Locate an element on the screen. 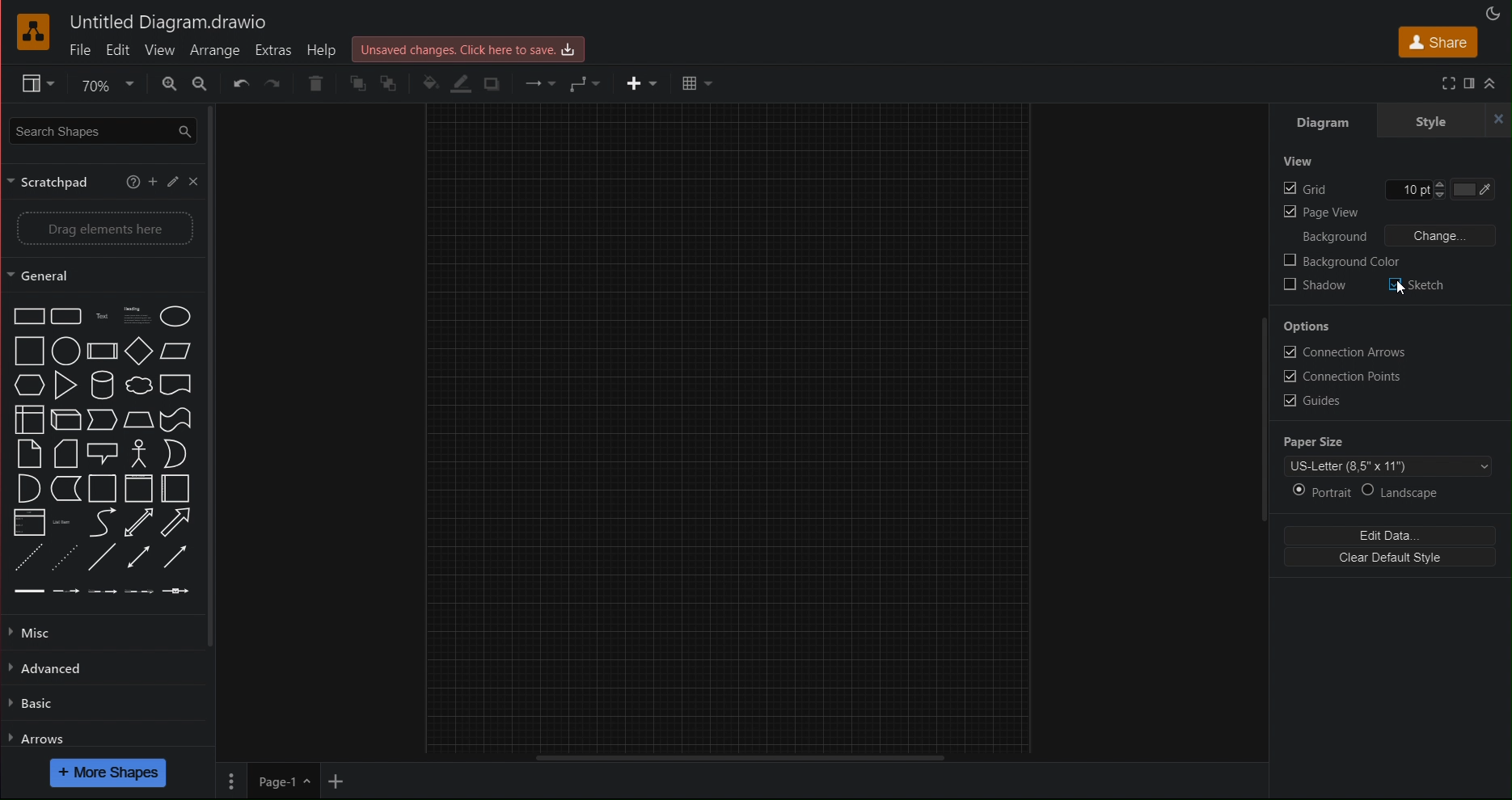 Image resolution: width=1512 pixels, height=800 pixels. Scrollbar is located at coordinates (1261, 419).